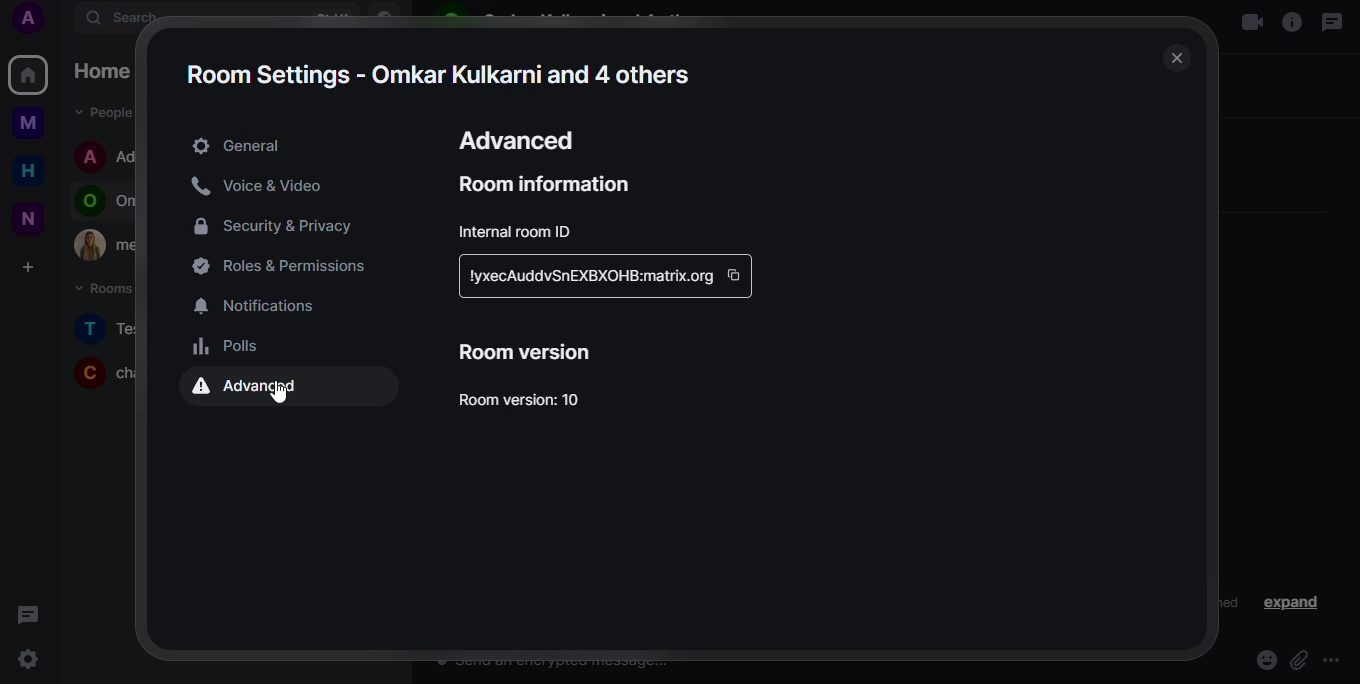 The image size is (1360, 684). I want to click on notifications, so click(265, 307).